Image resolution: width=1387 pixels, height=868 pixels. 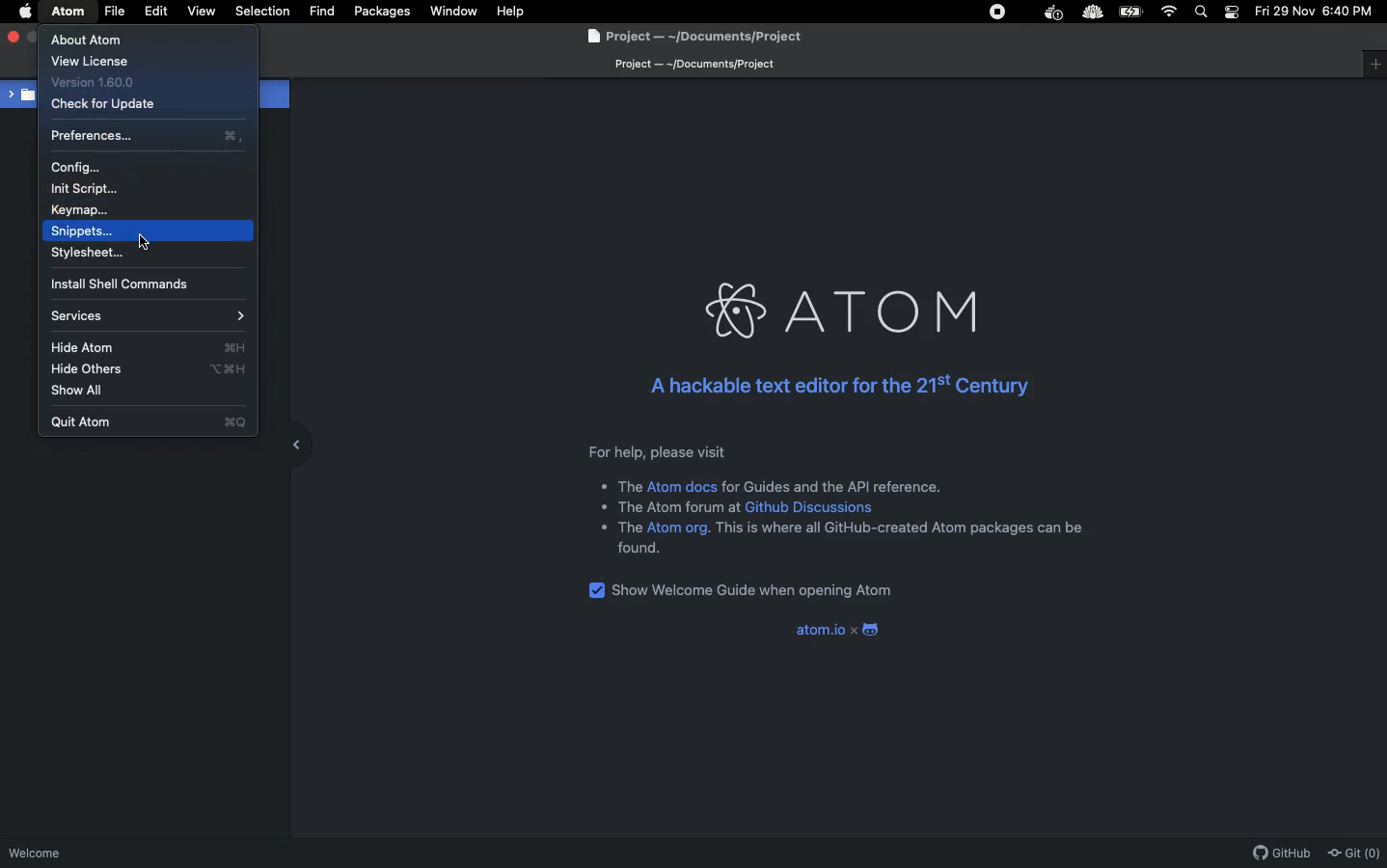 What do you see at coordinates (681, 486) in the screenshot?
I see `Atom docs` at bounding box center [681, 486].